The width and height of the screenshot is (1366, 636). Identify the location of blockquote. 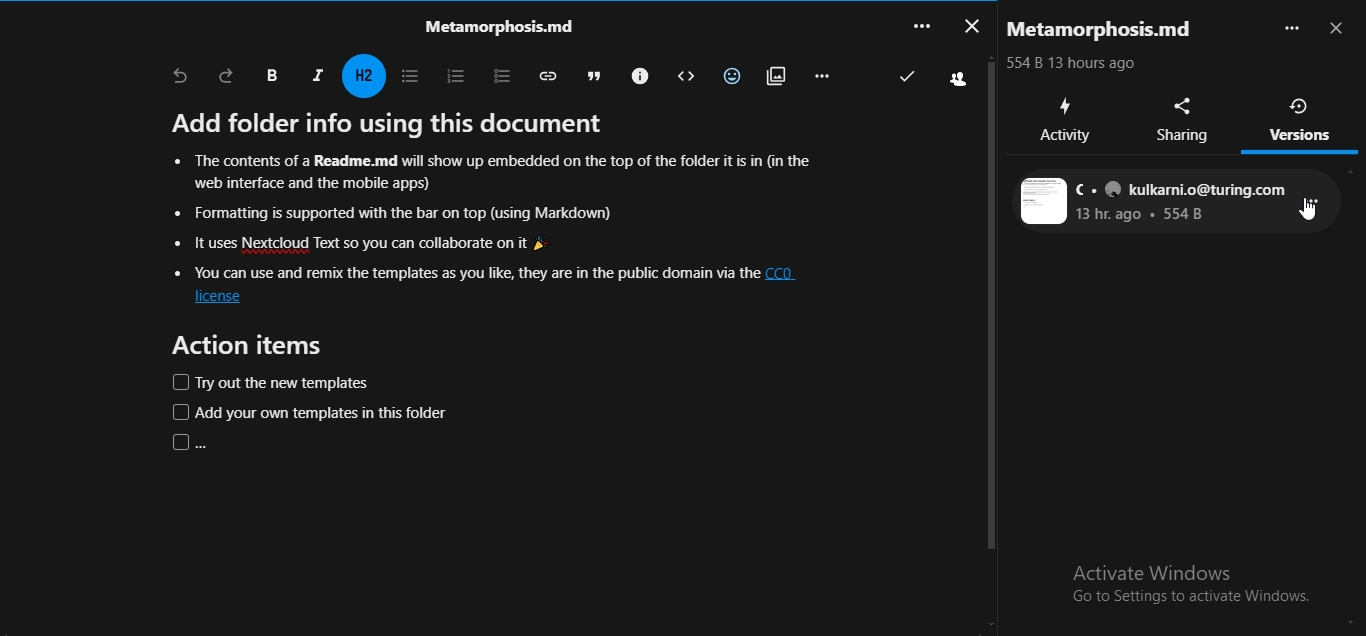
(589, 74).